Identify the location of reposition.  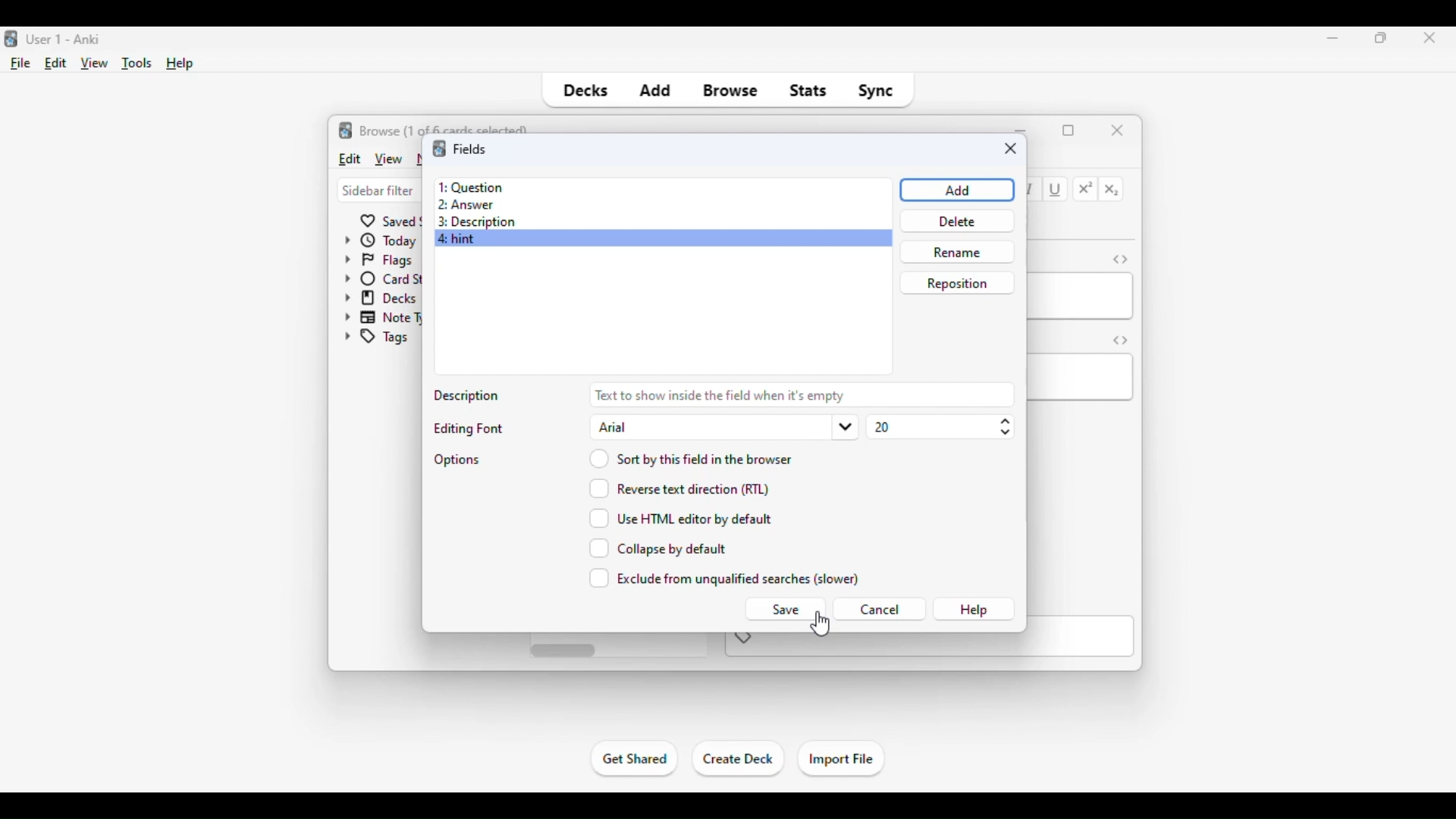
(957, 282).